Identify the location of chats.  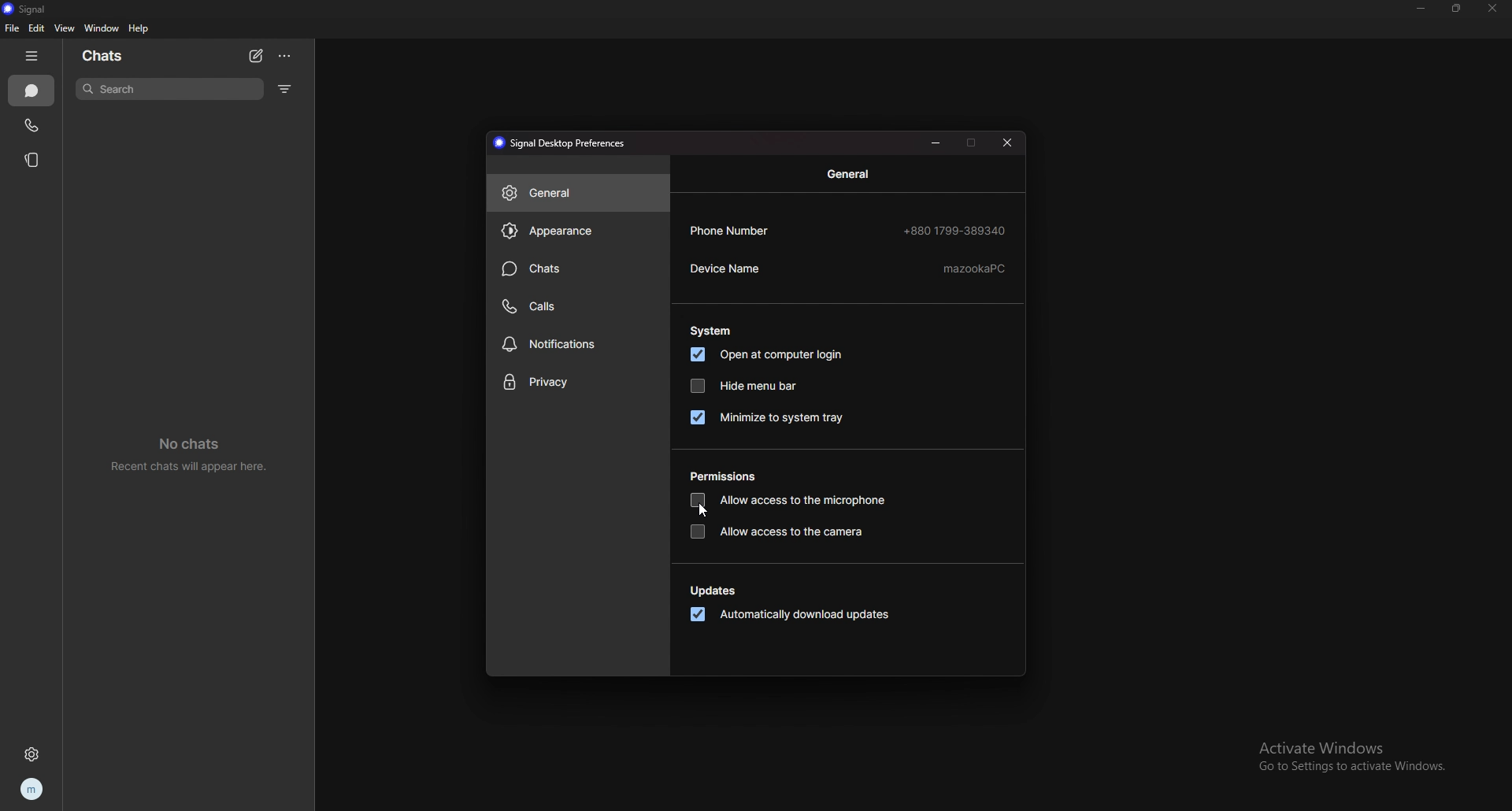
(32, 91).